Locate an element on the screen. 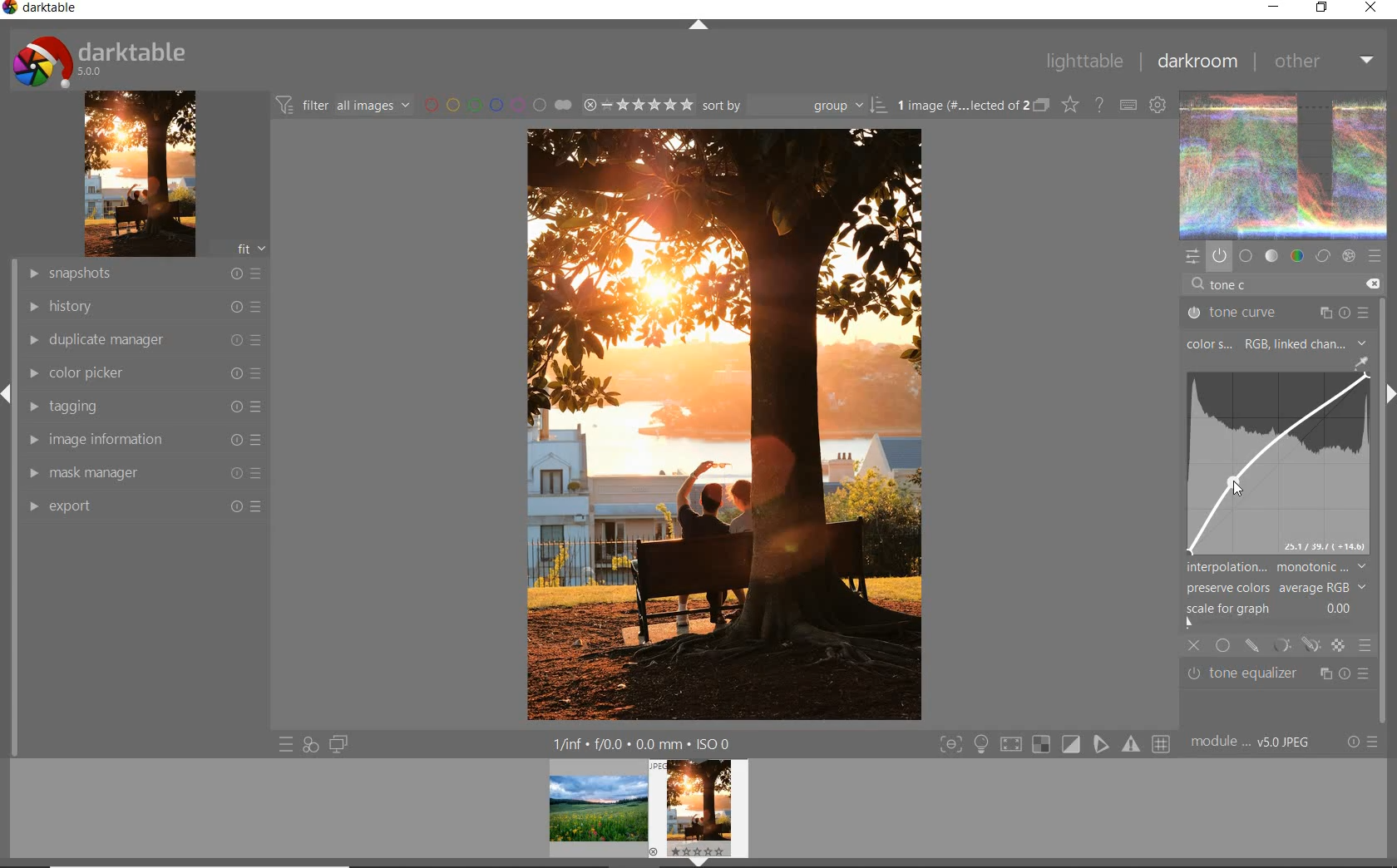 This screenshot has height=868, width=1397. image information is located at coordinates (141, 439).